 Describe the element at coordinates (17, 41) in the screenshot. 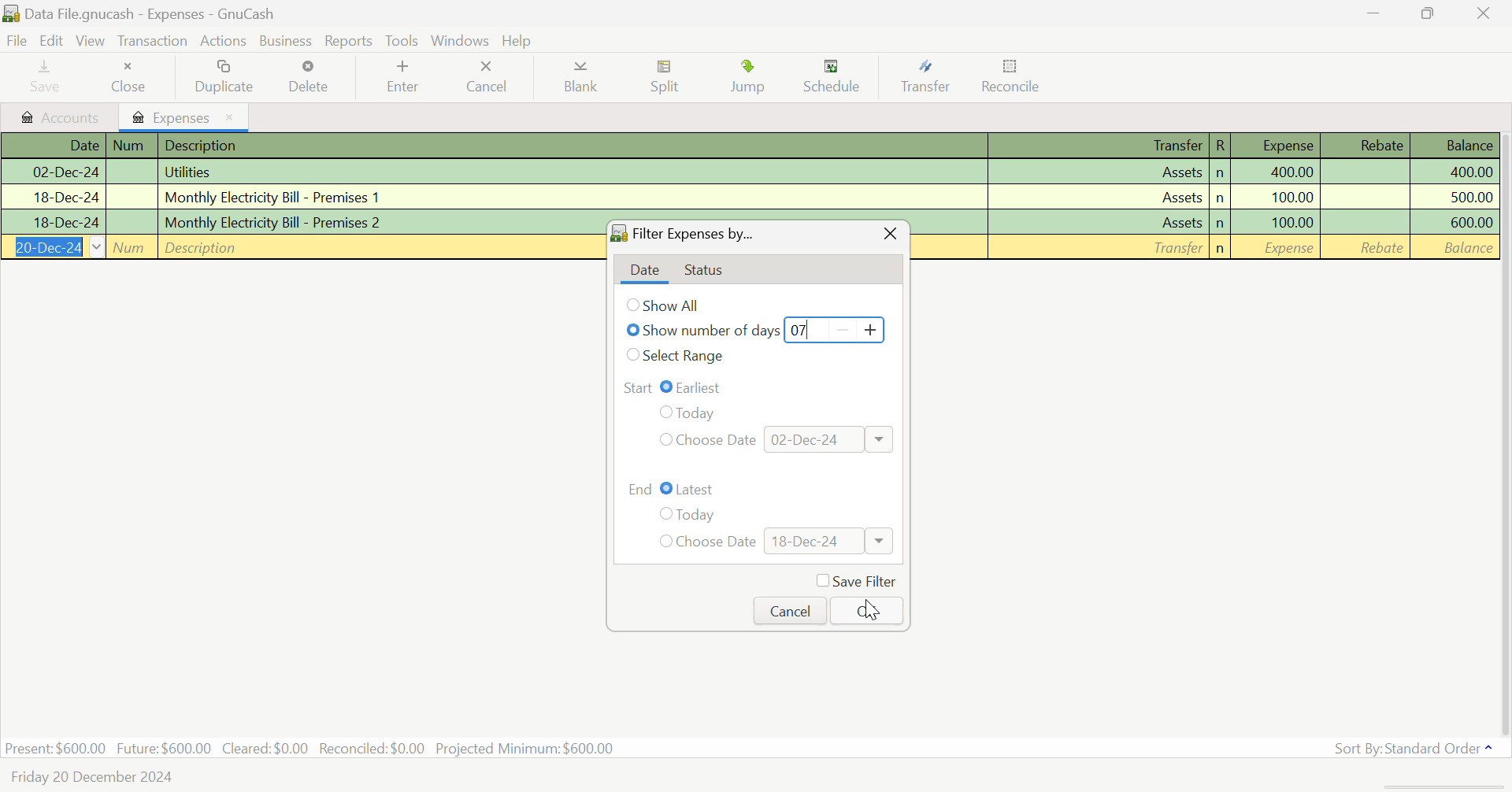

I see `File` at that location.